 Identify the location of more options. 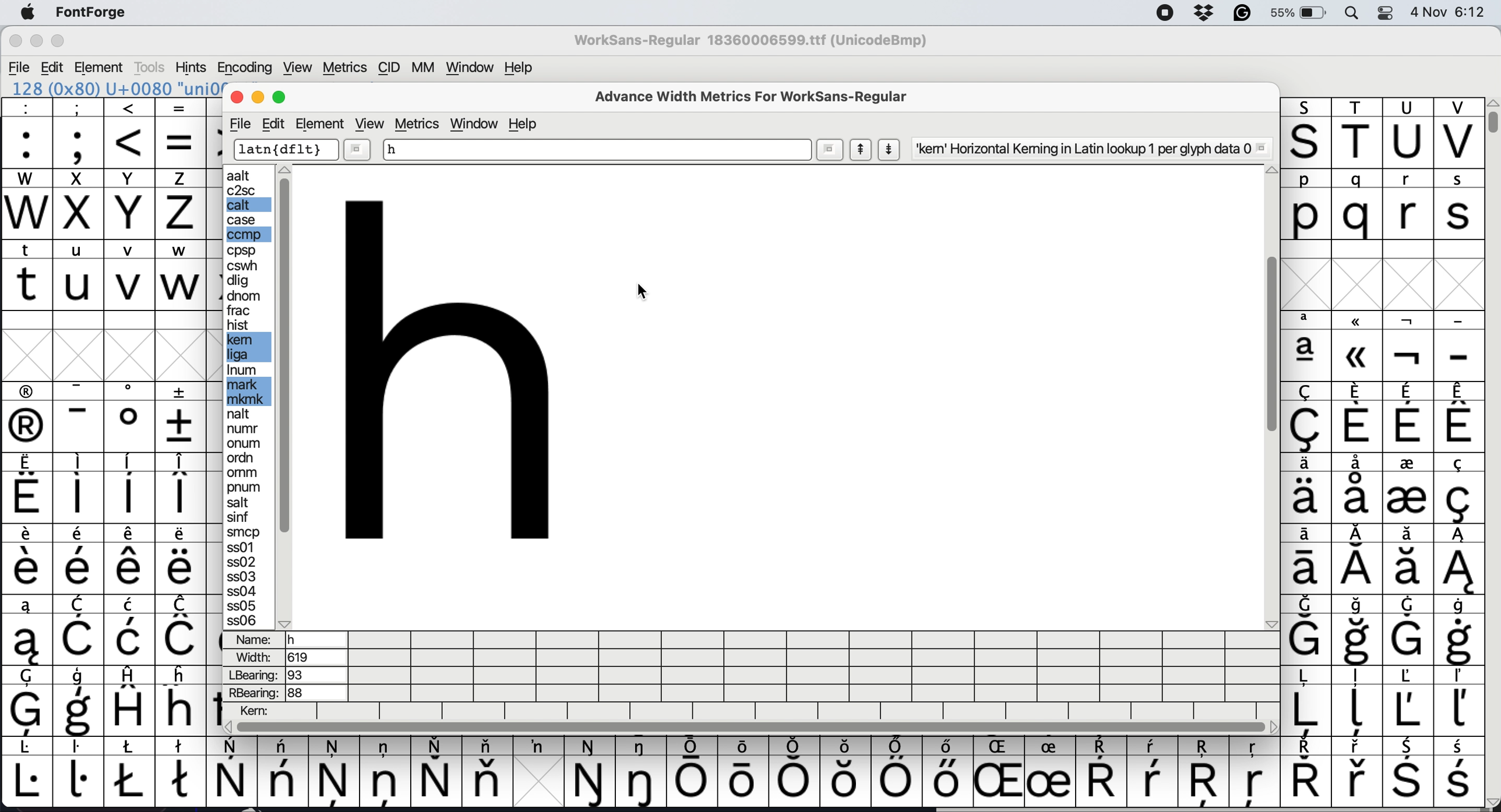
(357, 149).